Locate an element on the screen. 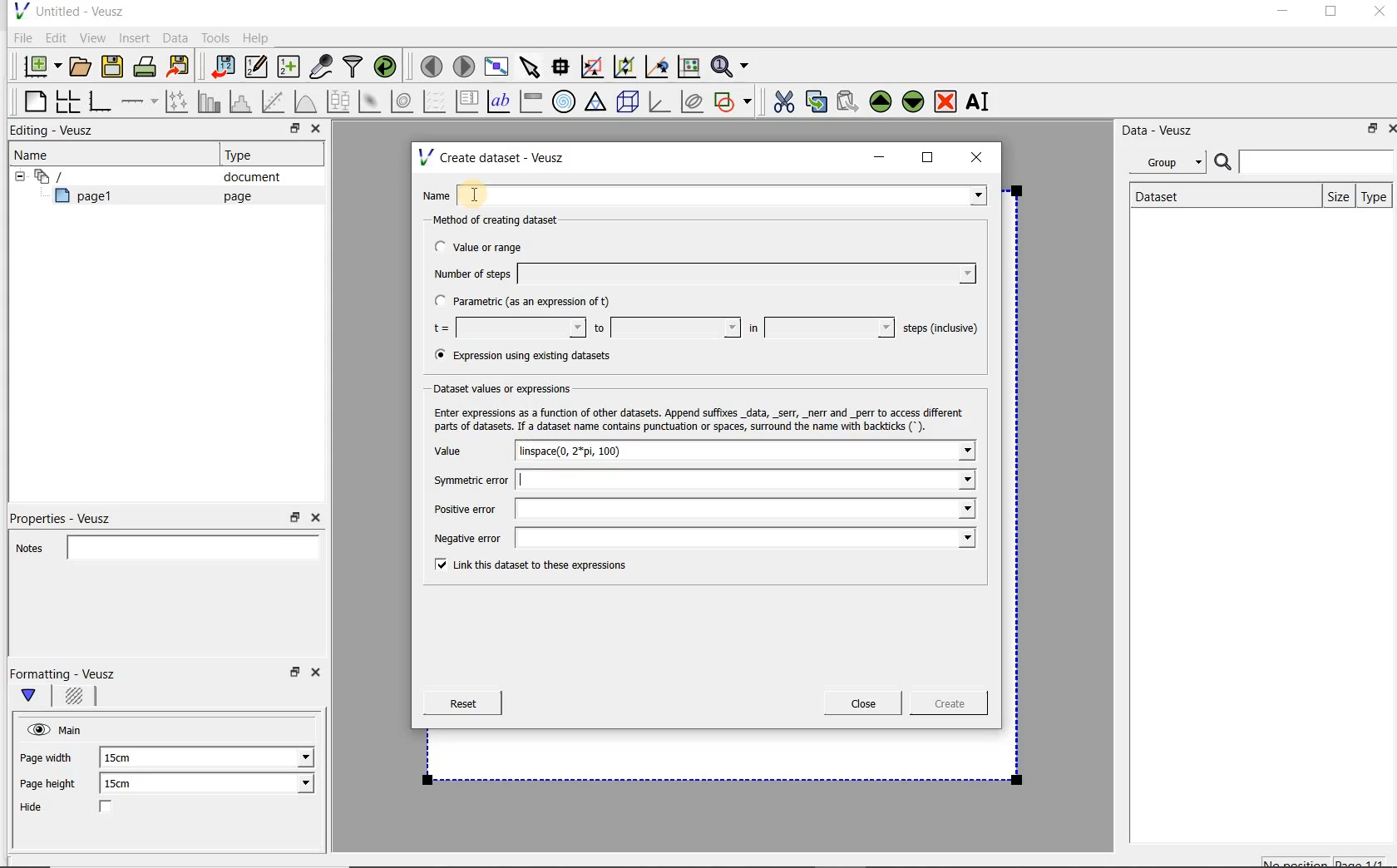  Number of steps is located at coordinates (699, 274).